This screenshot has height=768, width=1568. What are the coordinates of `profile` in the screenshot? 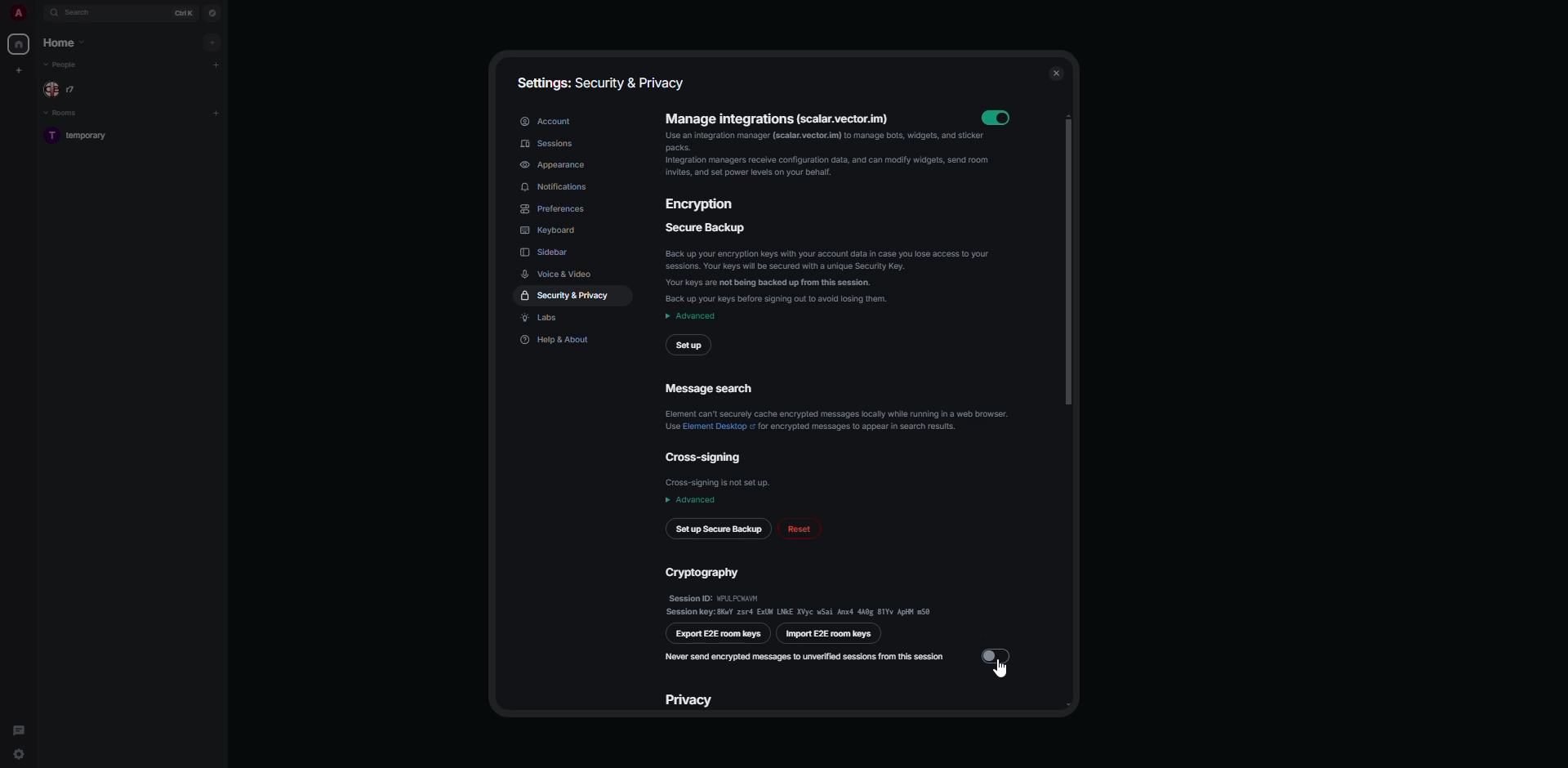 It's located at (18, 12).